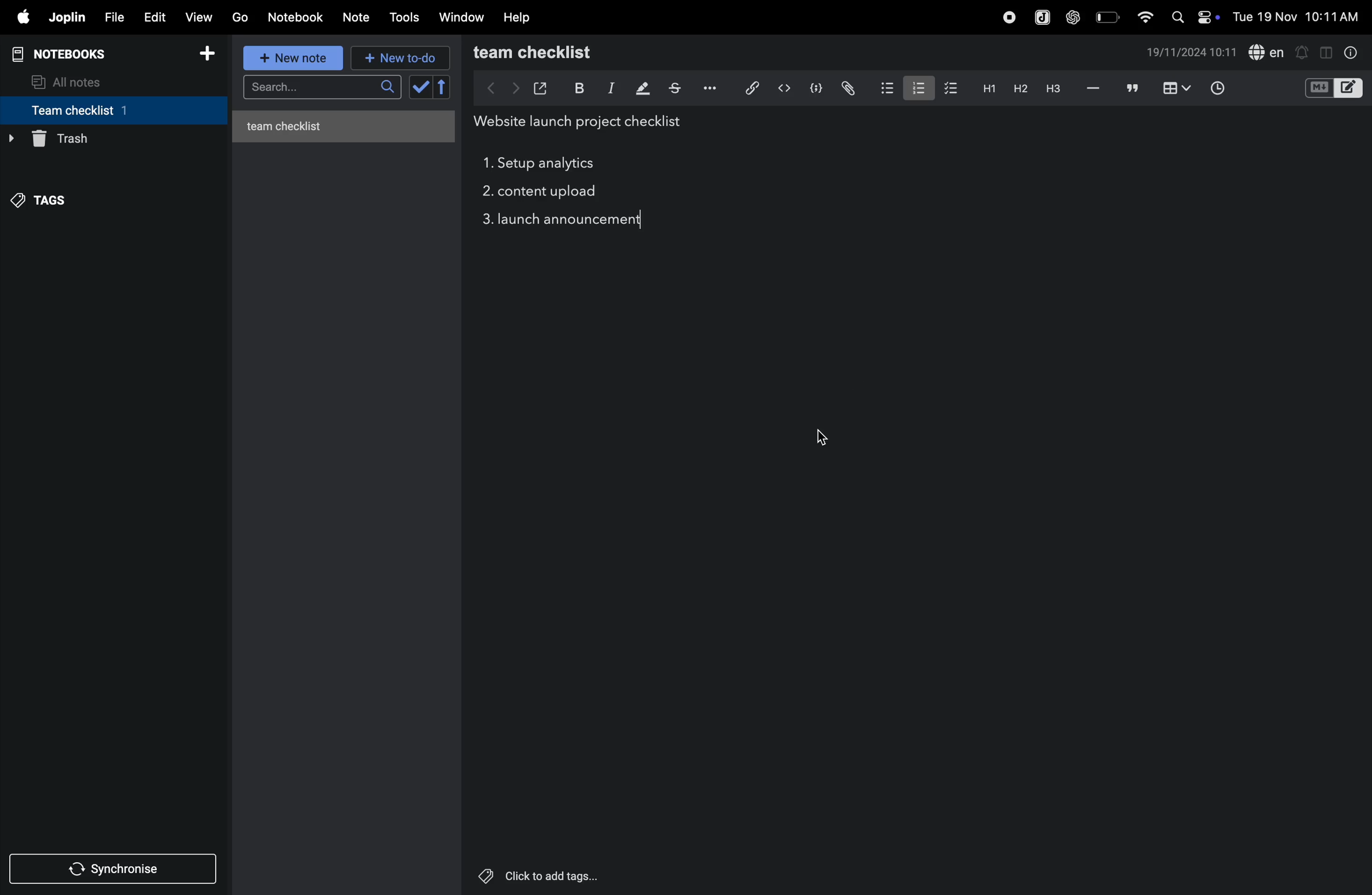 Image resolution: width=1372 pixels, height=895 pixels. Describe the element at coordinates (554, 190) in the screenshot. I see `content upload` at that location.